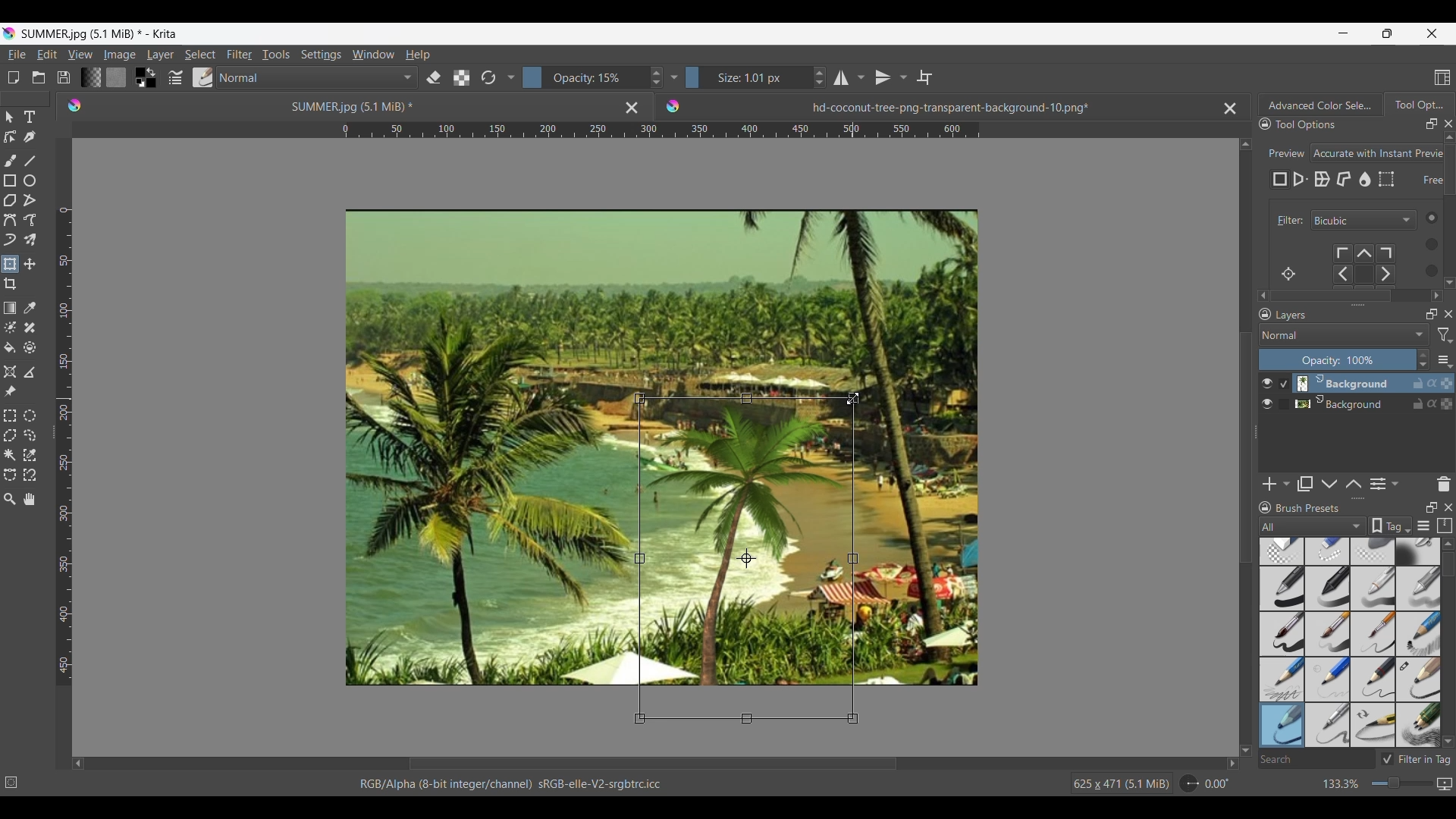  I want to click on SUMMERjpg (5.1 MiB)*, so click(330, 105).